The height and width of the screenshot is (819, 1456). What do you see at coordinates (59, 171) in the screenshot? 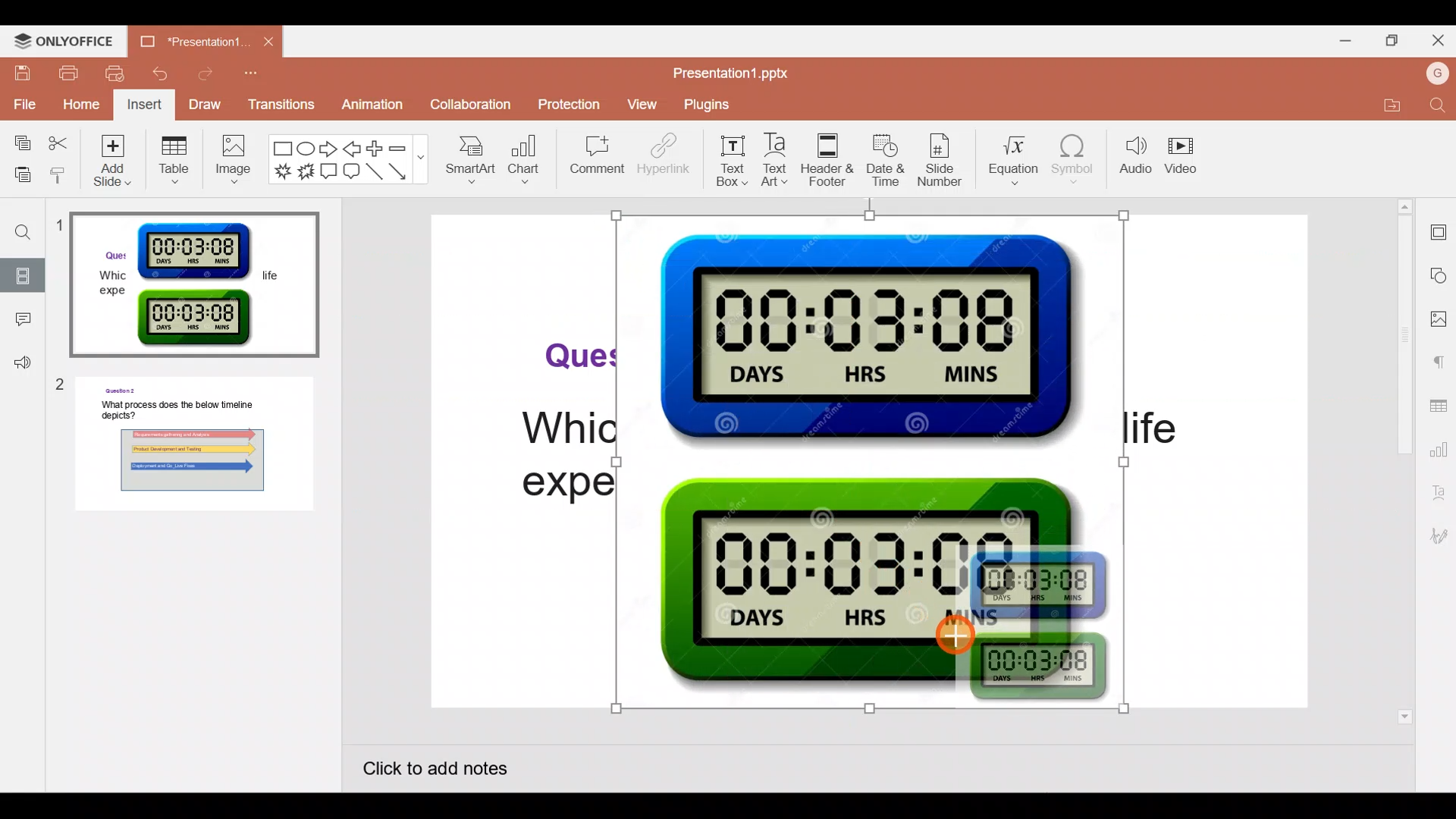
I see `Copy style` at bounding box center [59, 171].